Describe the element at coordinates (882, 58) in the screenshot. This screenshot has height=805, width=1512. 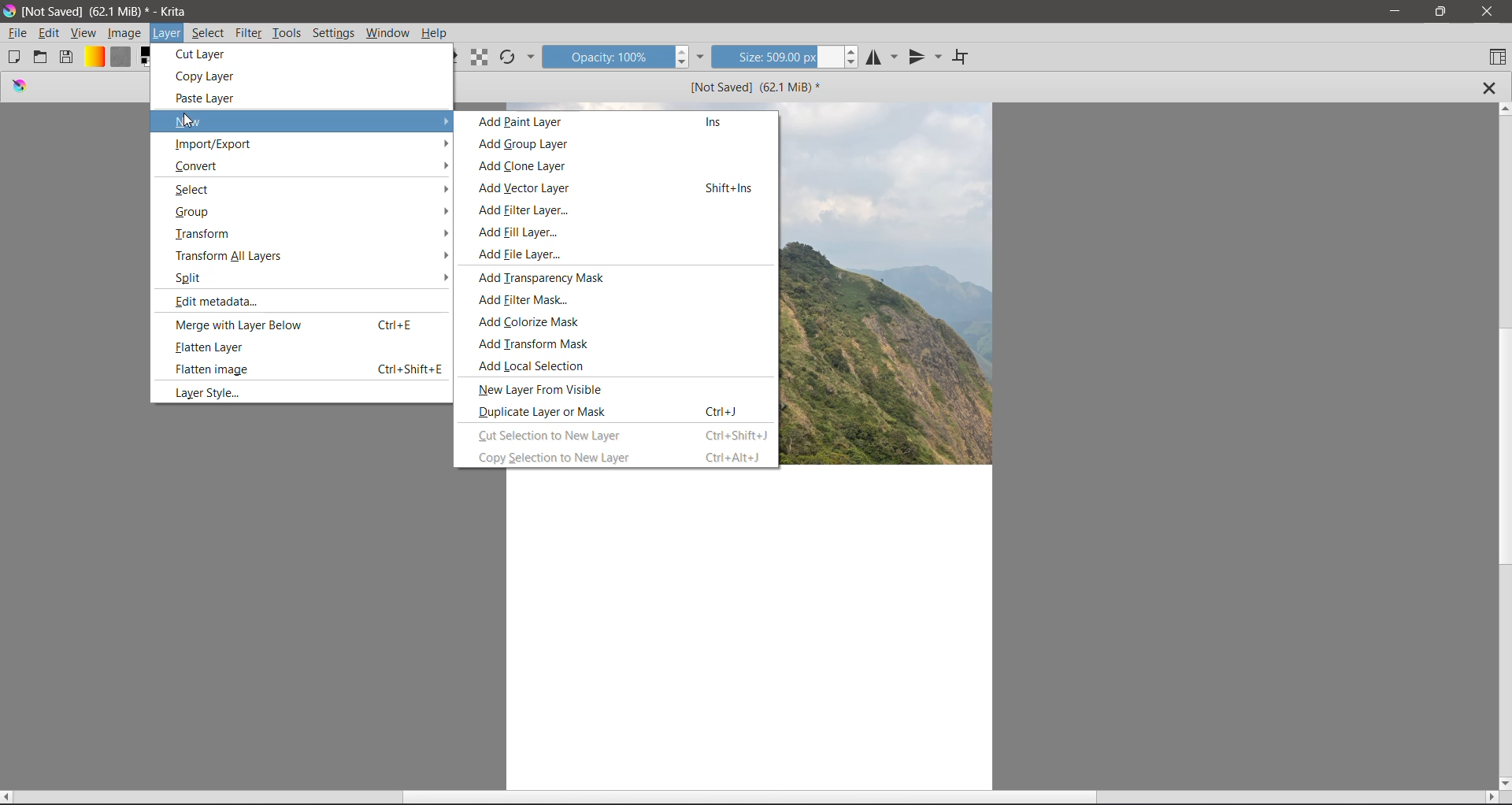
I see `Horizontal Mirror Tool` at that location.